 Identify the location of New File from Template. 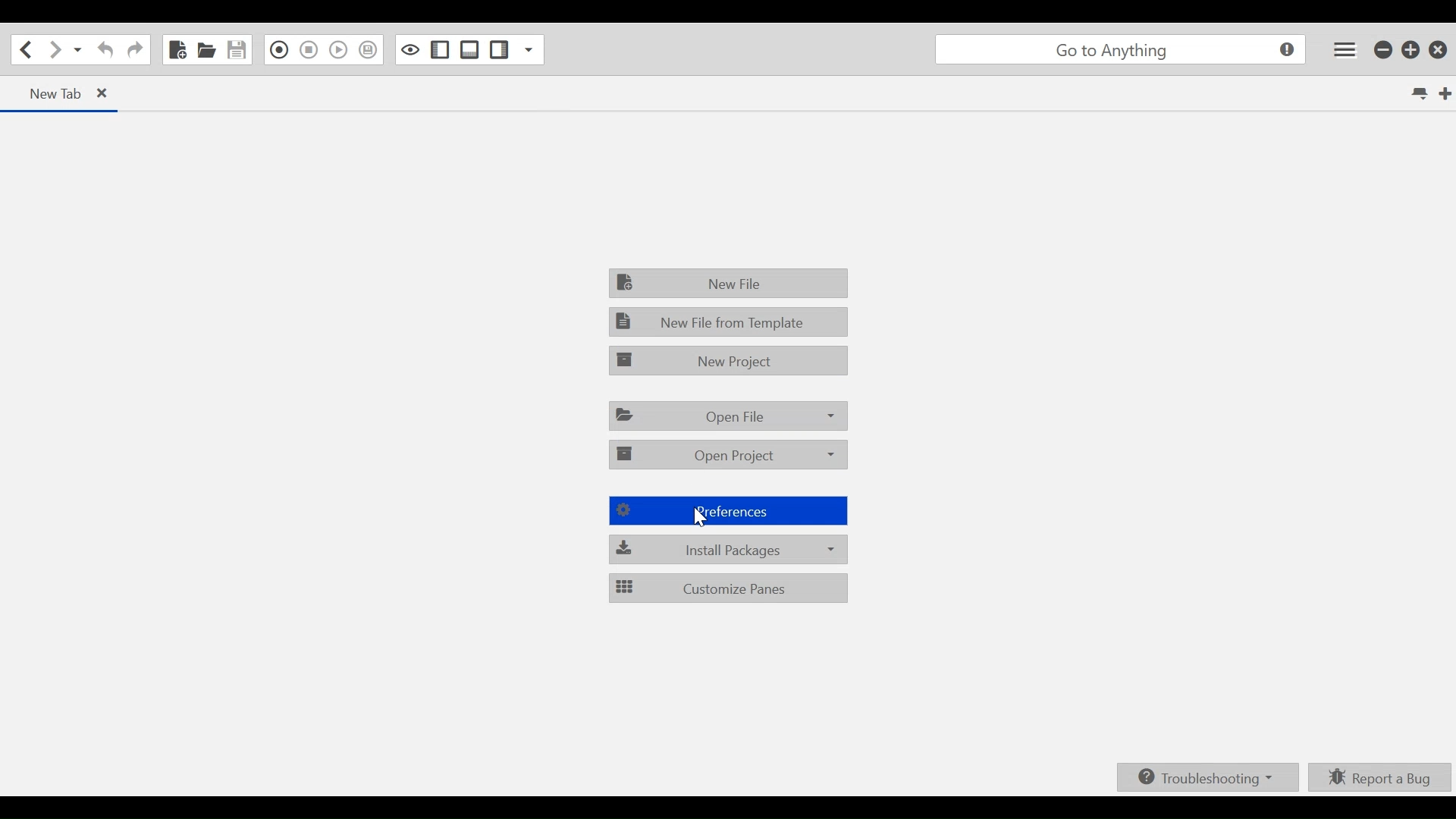
(730, 323).